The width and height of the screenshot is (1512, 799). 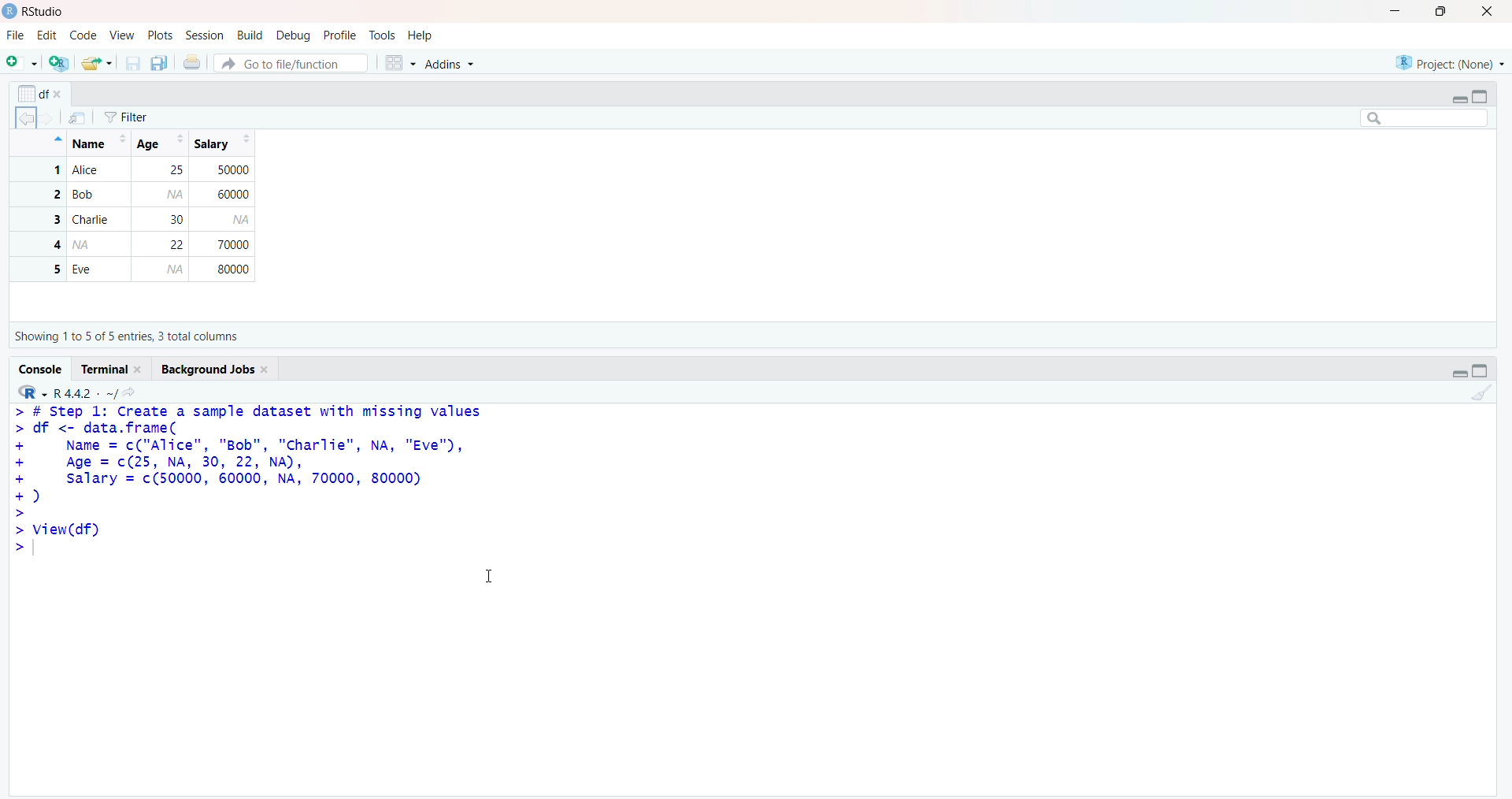 I want to click on Text cursor, so click(x=493, y=574).